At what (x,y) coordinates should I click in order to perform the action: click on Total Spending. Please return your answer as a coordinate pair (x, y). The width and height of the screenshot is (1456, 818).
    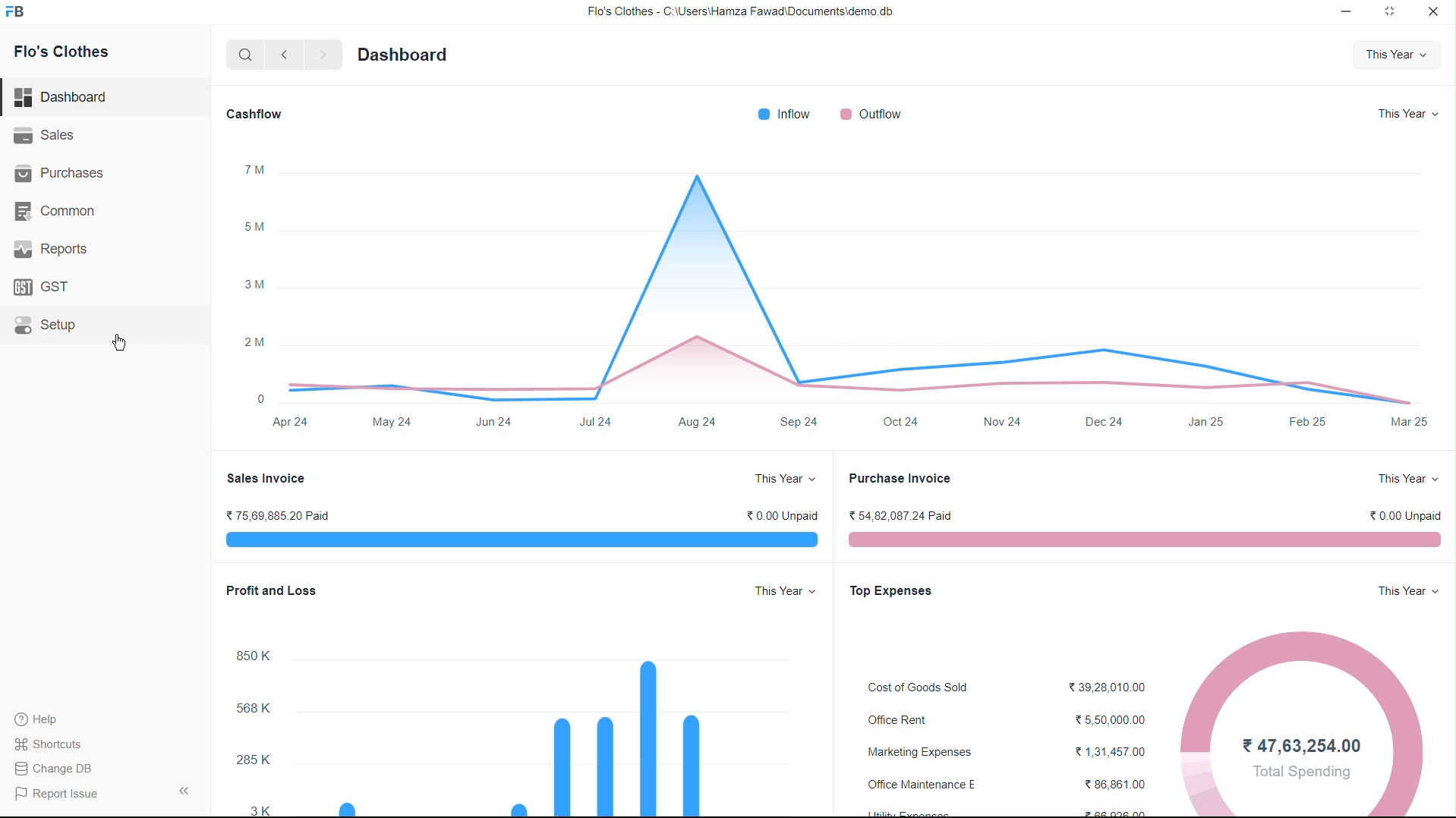
    Looking at the image, I should click on (1304, 772).